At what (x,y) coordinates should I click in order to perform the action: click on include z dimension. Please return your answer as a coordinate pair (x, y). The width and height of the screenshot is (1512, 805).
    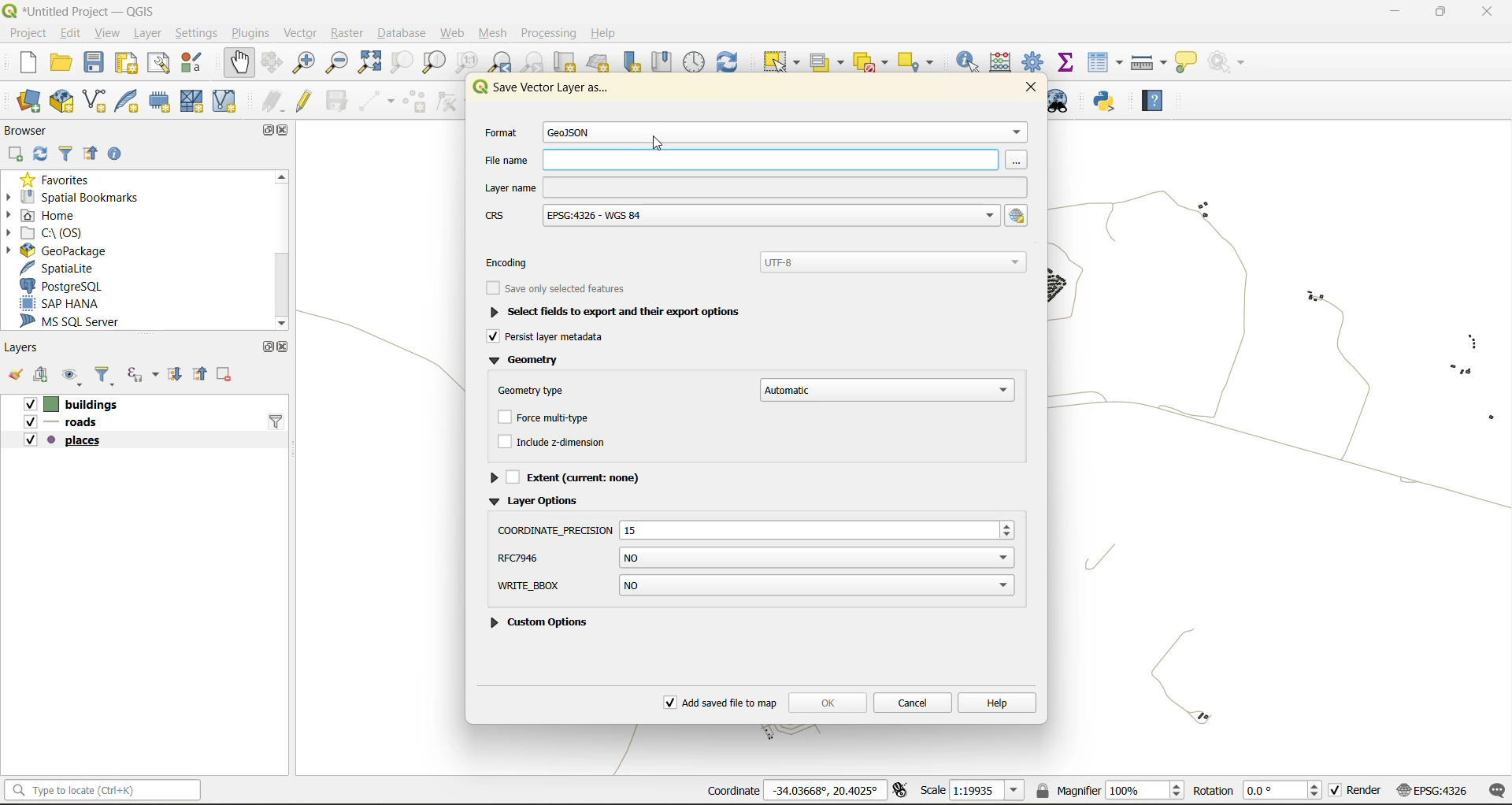
    Looking at the image, I should click on (548, 441).